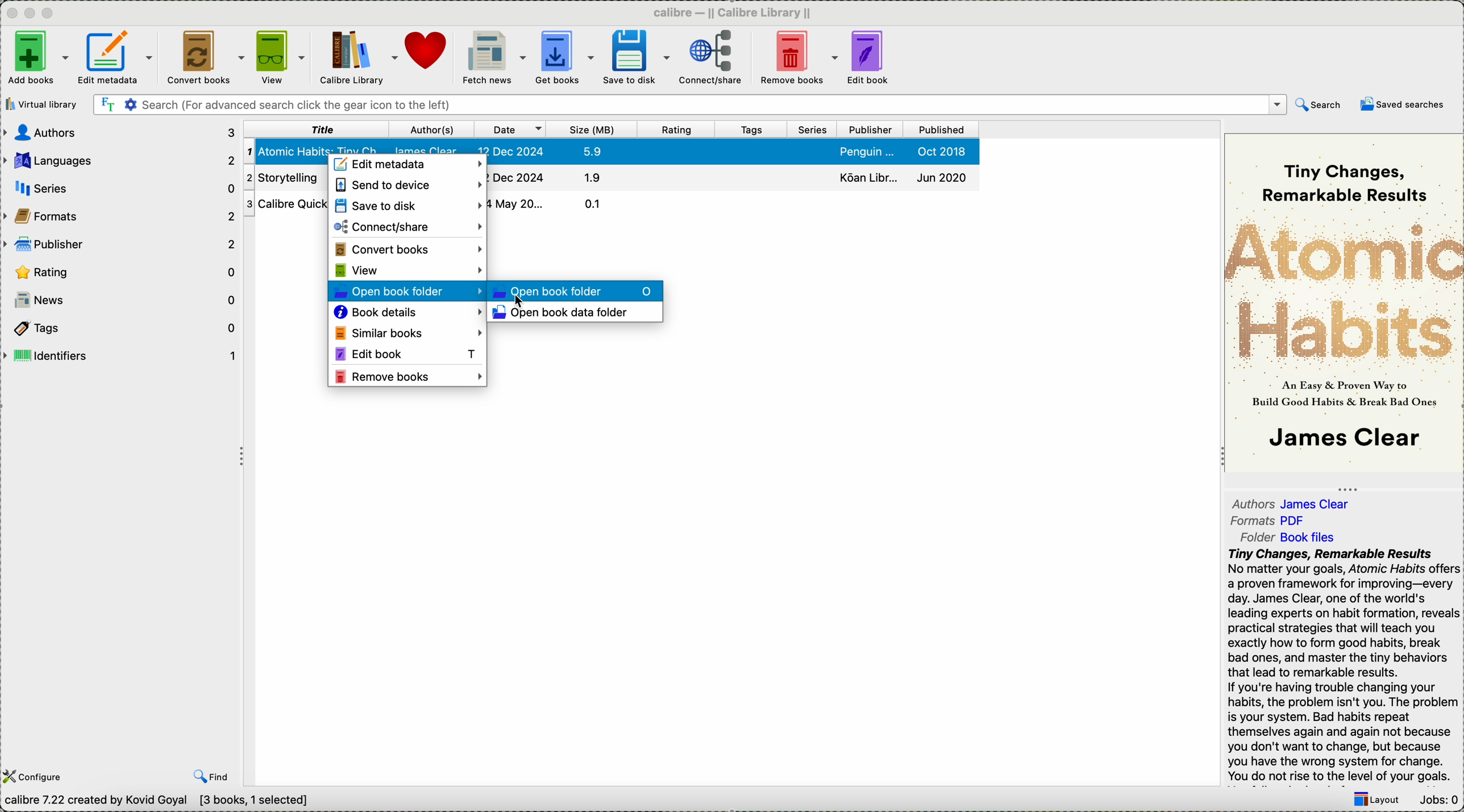 This screenshot has width=1464, height=812. I want to click on third book, so click(288, 203).